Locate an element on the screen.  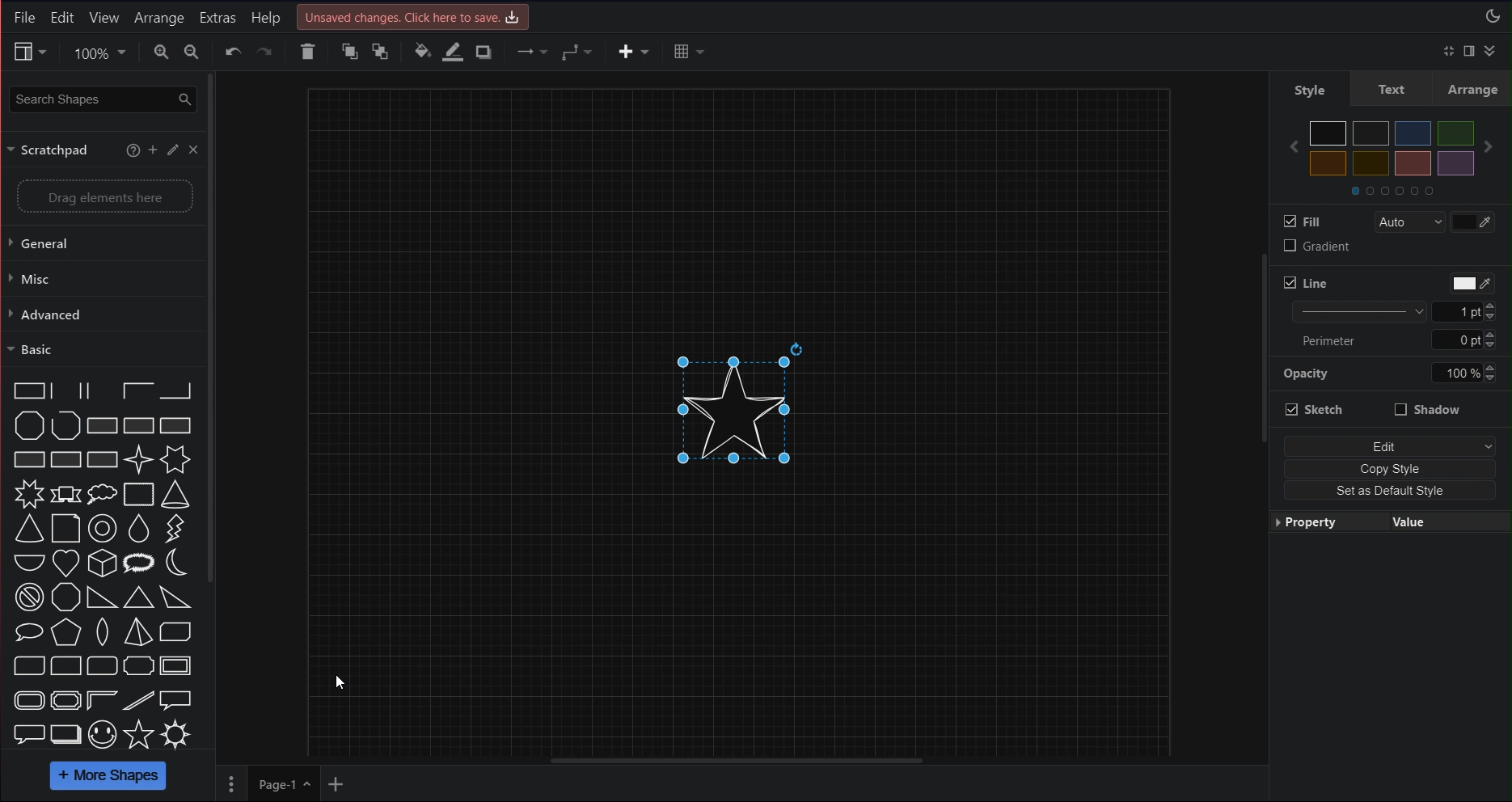
octagon is located at coordinates (65, 597).